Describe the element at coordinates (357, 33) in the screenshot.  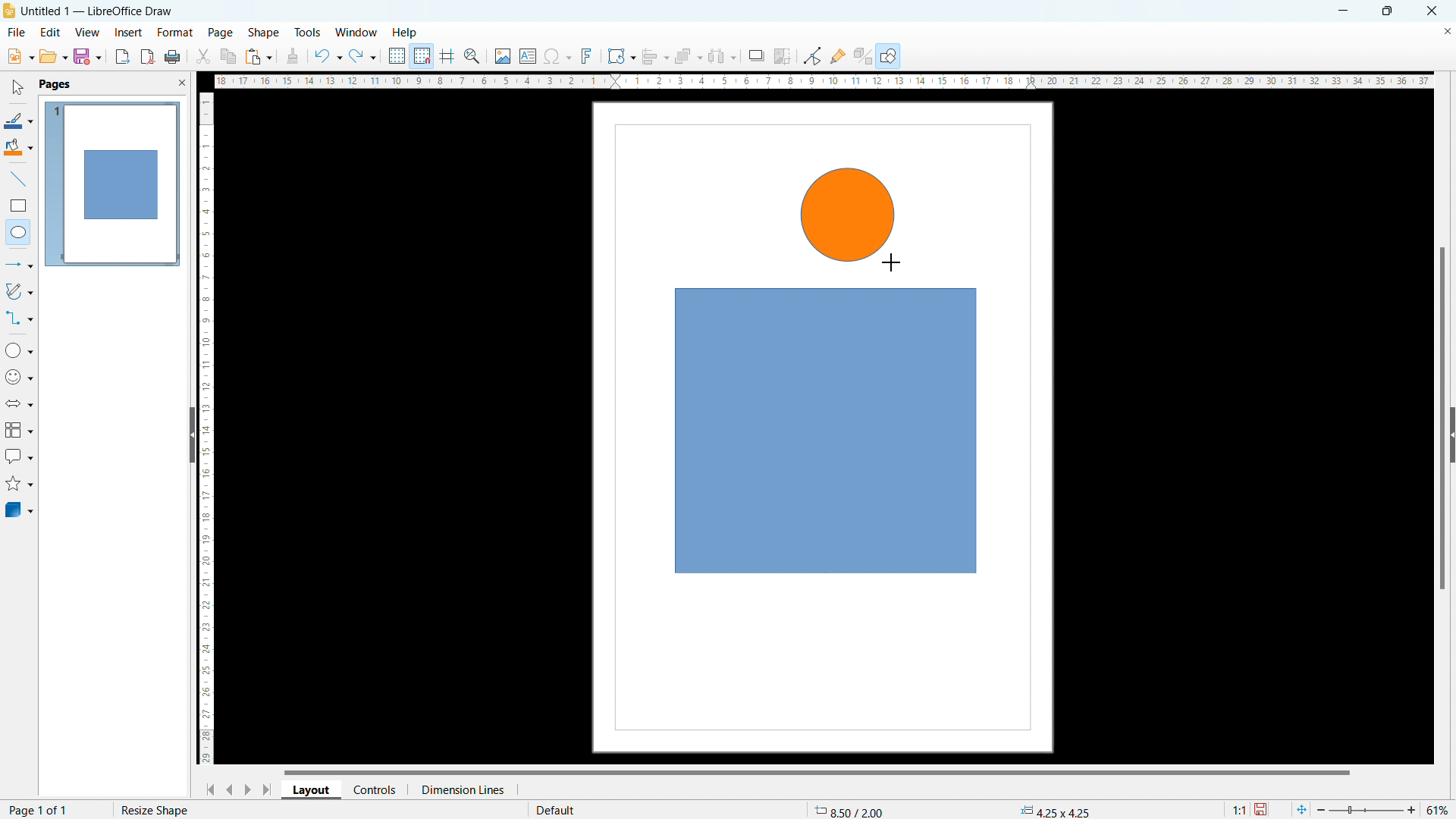
I see `window` at that location.